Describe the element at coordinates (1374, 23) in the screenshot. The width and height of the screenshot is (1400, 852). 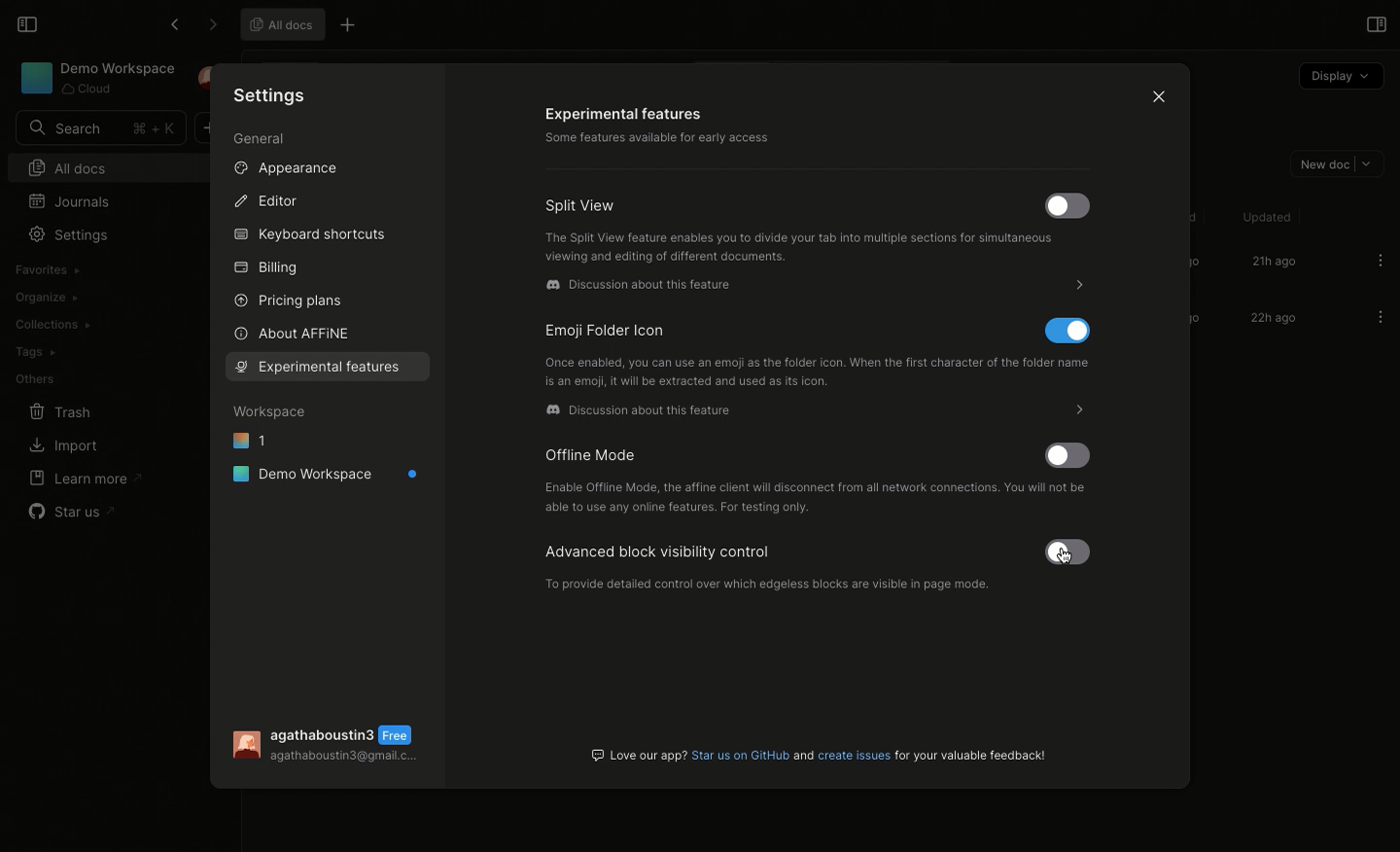
I see `Open right panel` at that location.